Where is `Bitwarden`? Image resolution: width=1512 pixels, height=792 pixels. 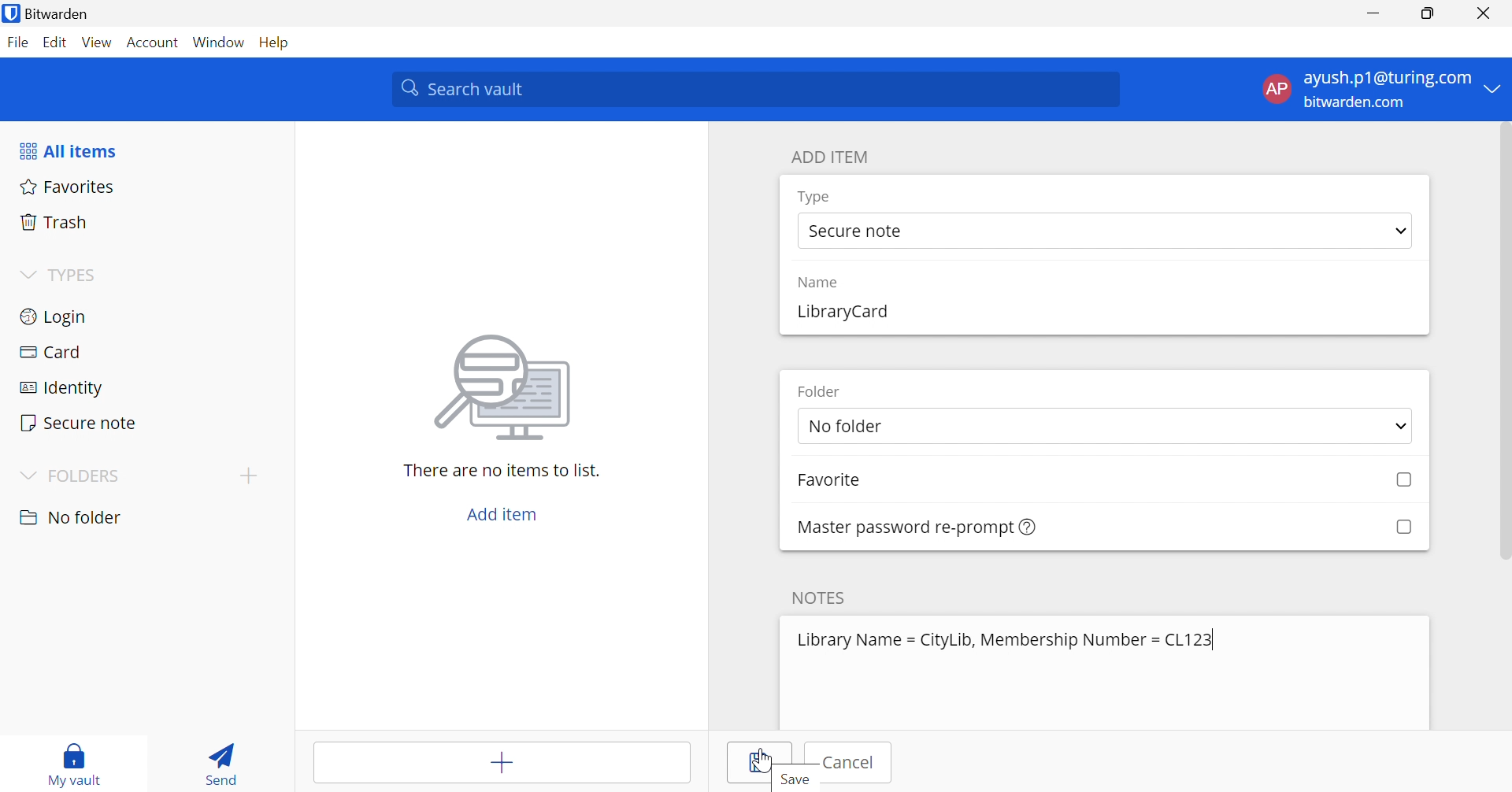 Bitwarden is located at coordinates (50, 13).